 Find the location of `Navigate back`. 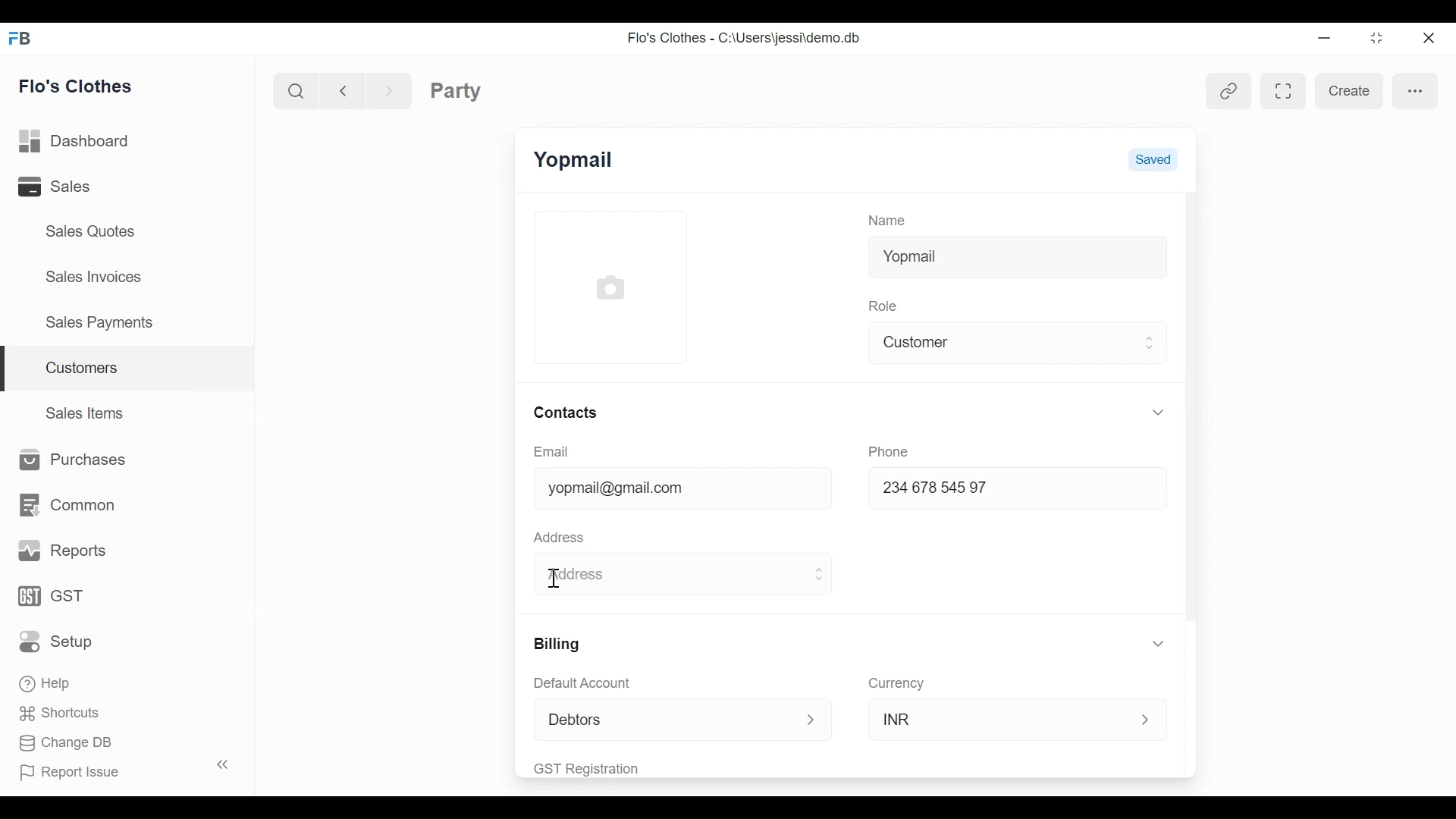

Navigate back is located at coordinates (341, 89).